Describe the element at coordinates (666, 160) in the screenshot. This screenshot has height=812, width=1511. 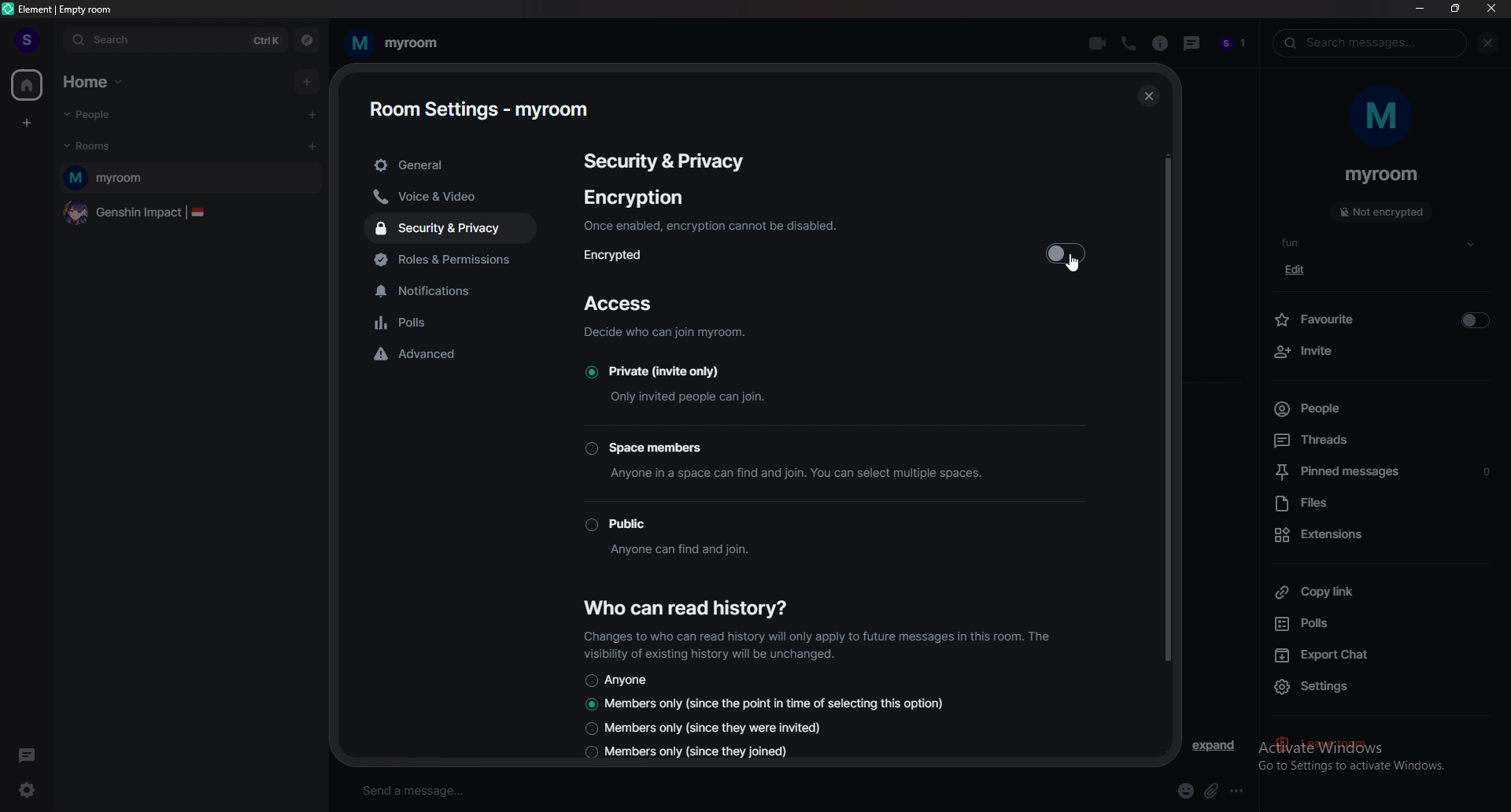
I see `security & privacy` at that location.